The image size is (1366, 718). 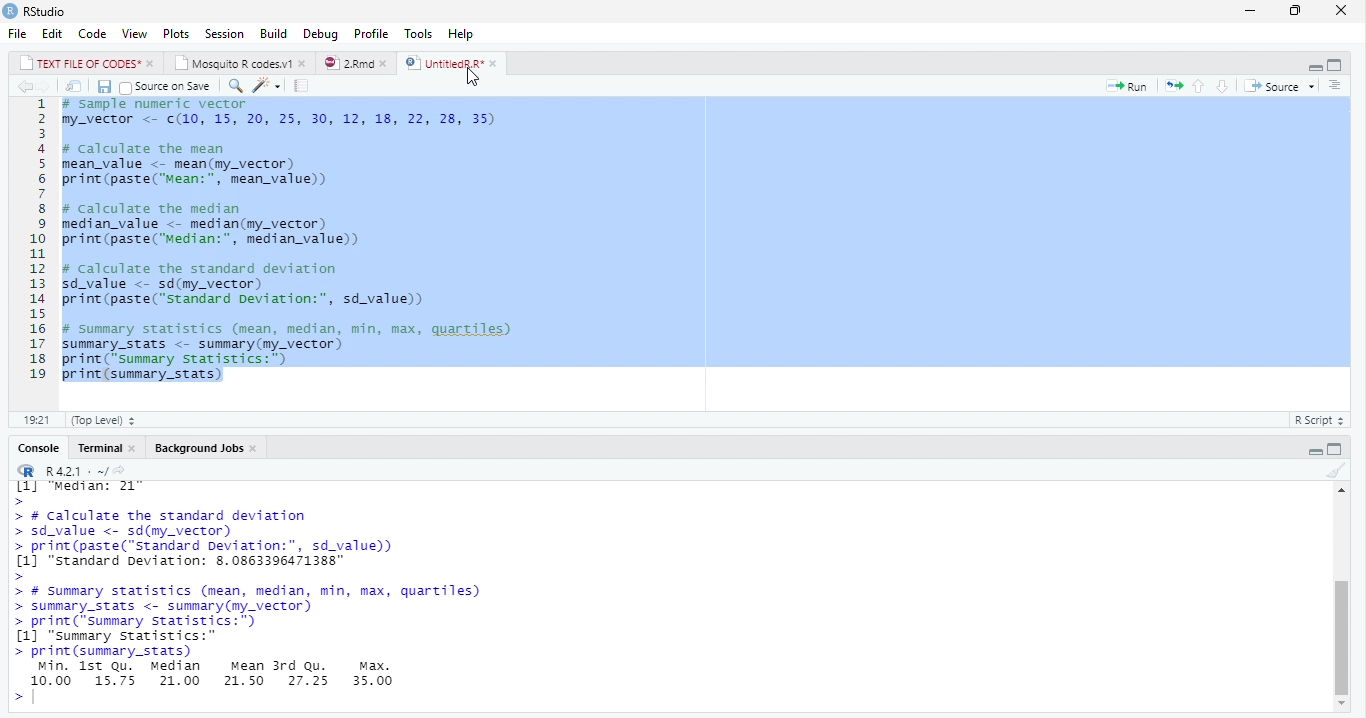 I want to click on re-run the previous section, so click(x=1175, y=87).